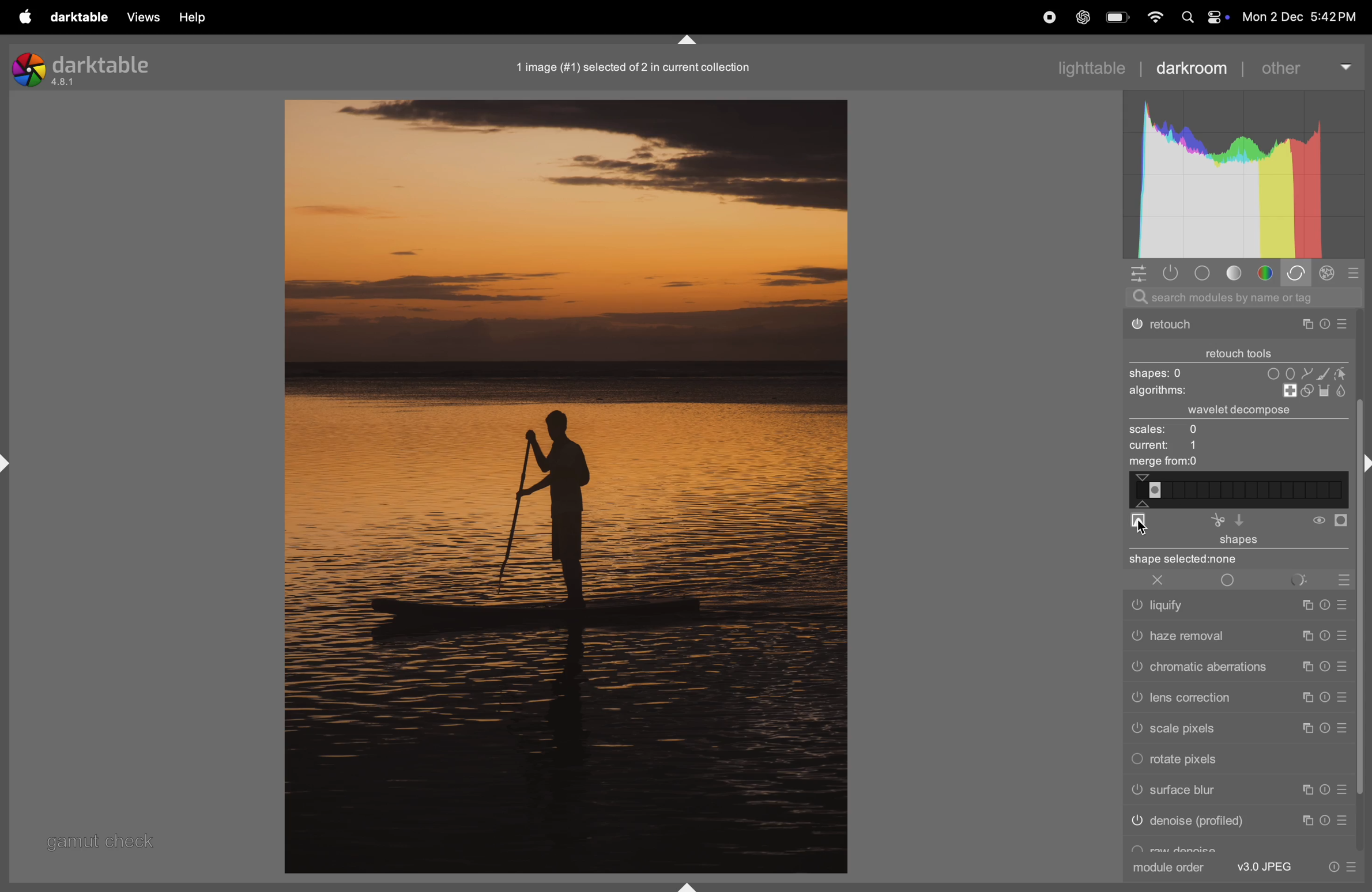 The image size is (1372, 892). Describe the element at coordinates (191, 17) in the screenshot. I see `help` at that location.